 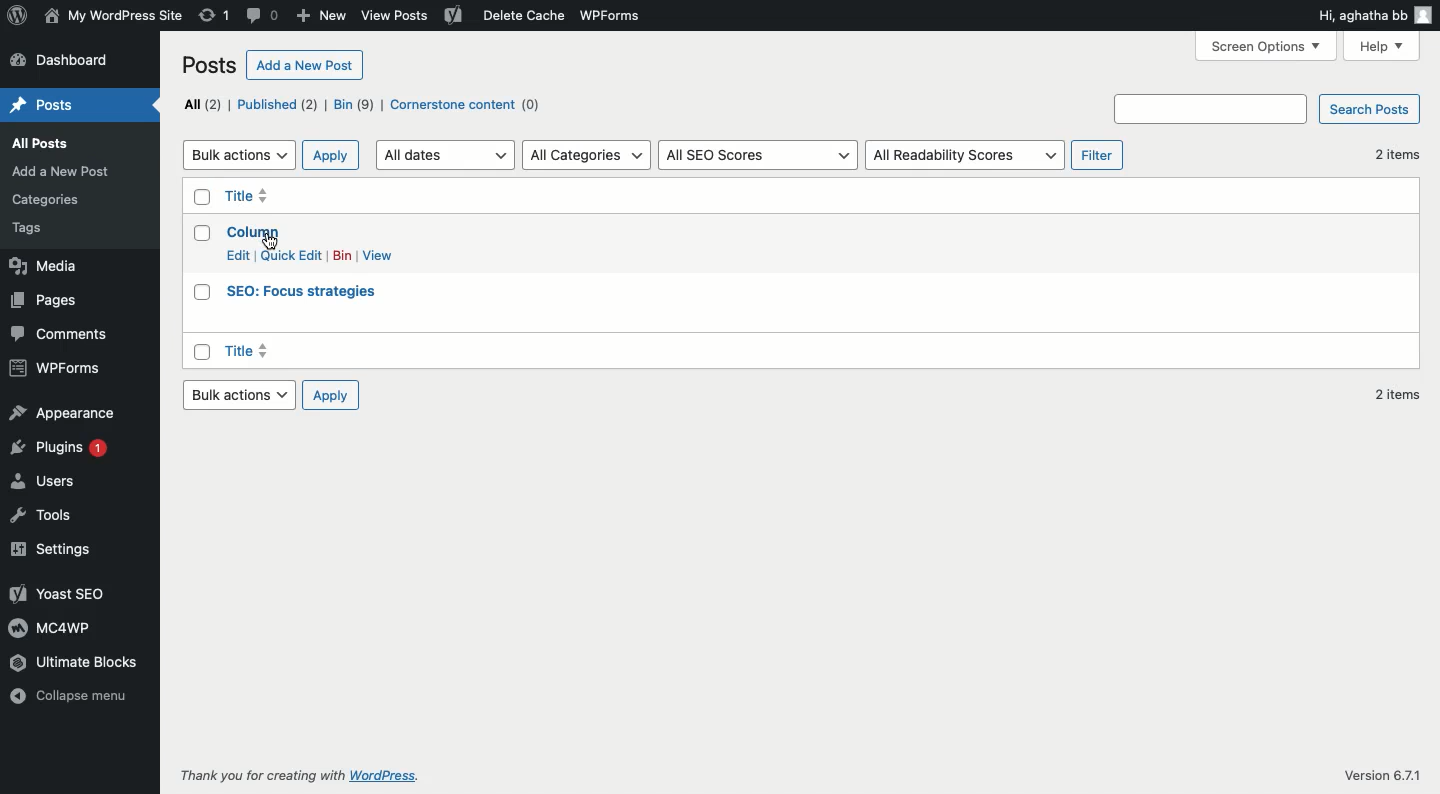 I want to click on All readability scores, so click(x=966, y=156).